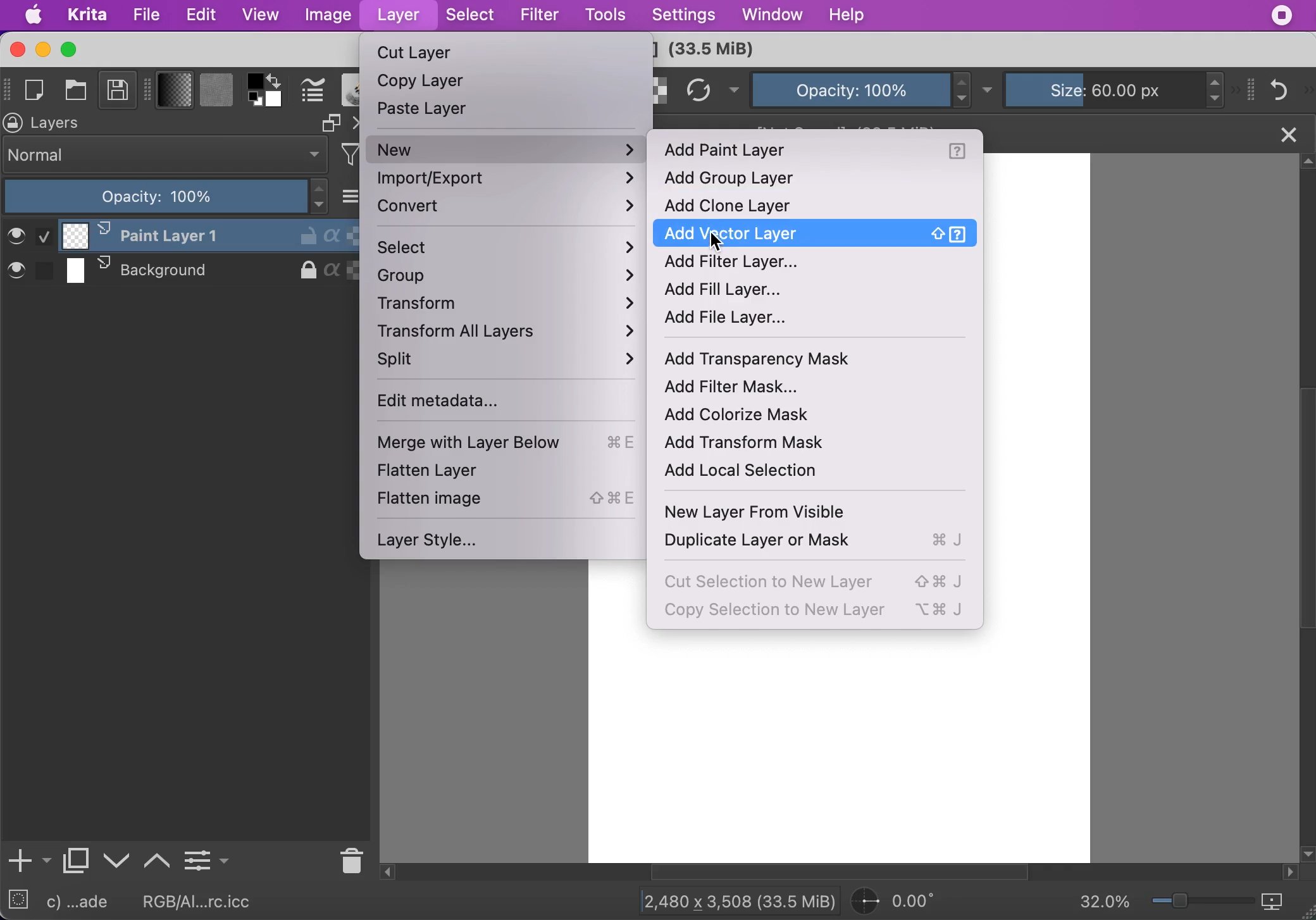 The width and height of the screenshot is (1316, 920). Describe the element at coordinates (1281, 89) in the screenshot. I see `undo last action` at that location.